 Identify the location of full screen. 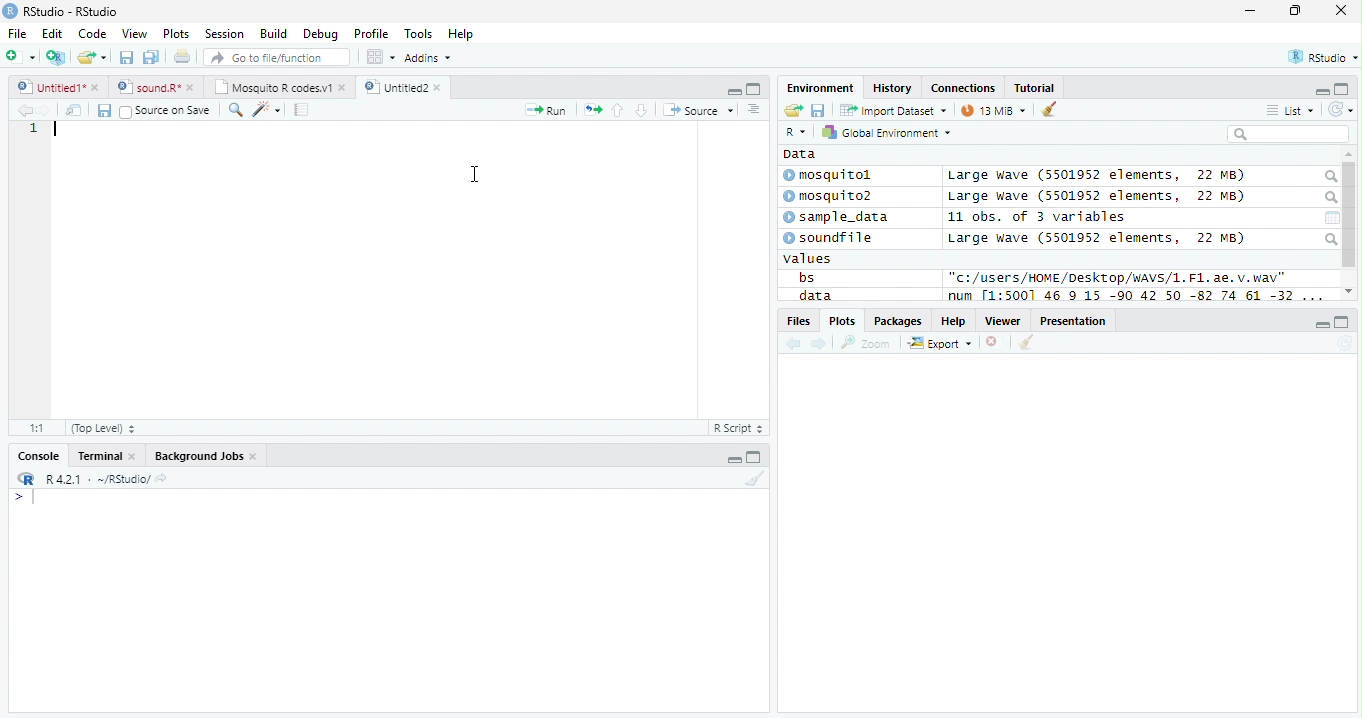
(754, 456).